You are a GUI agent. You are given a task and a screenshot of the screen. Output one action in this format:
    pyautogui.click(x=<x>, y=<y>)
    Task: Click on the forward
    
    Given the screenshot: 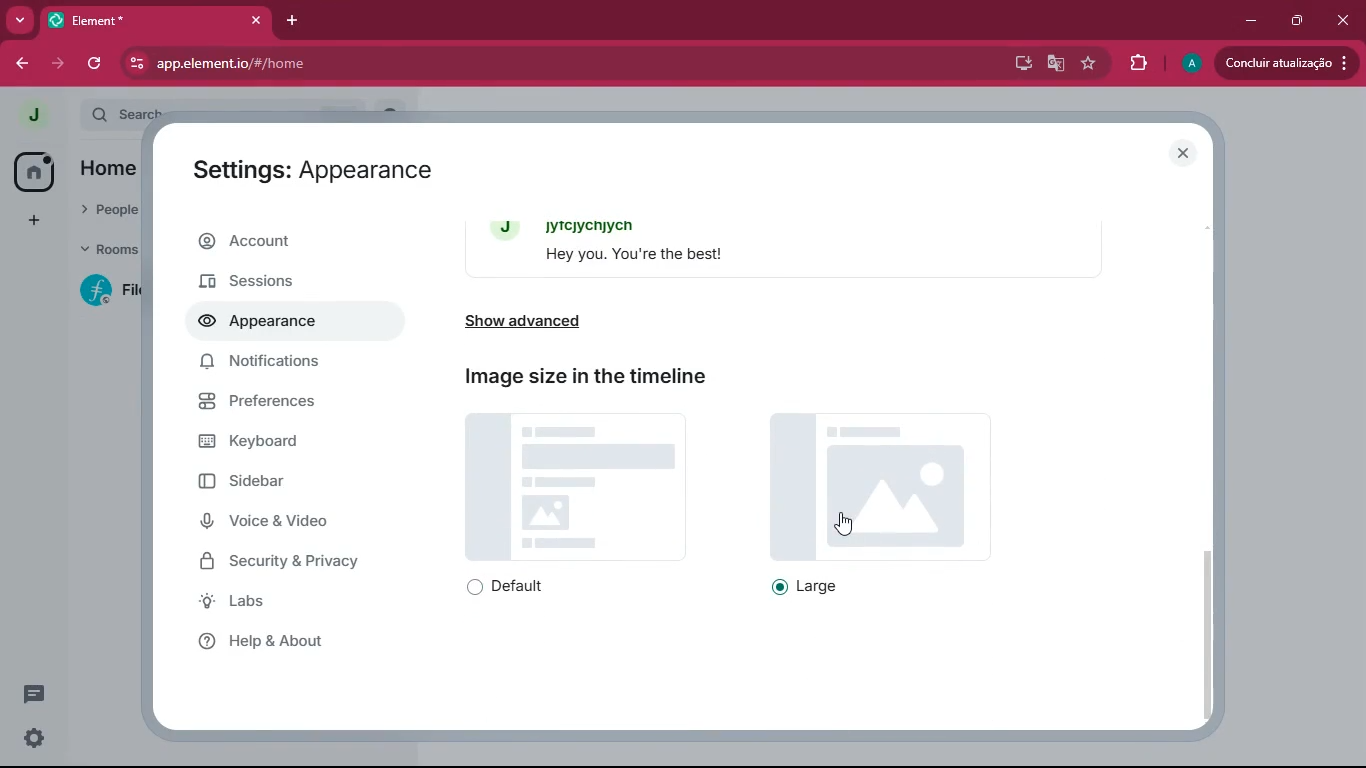 What is the action you would take?
    pyautogui.click(x=61, y=64)
    